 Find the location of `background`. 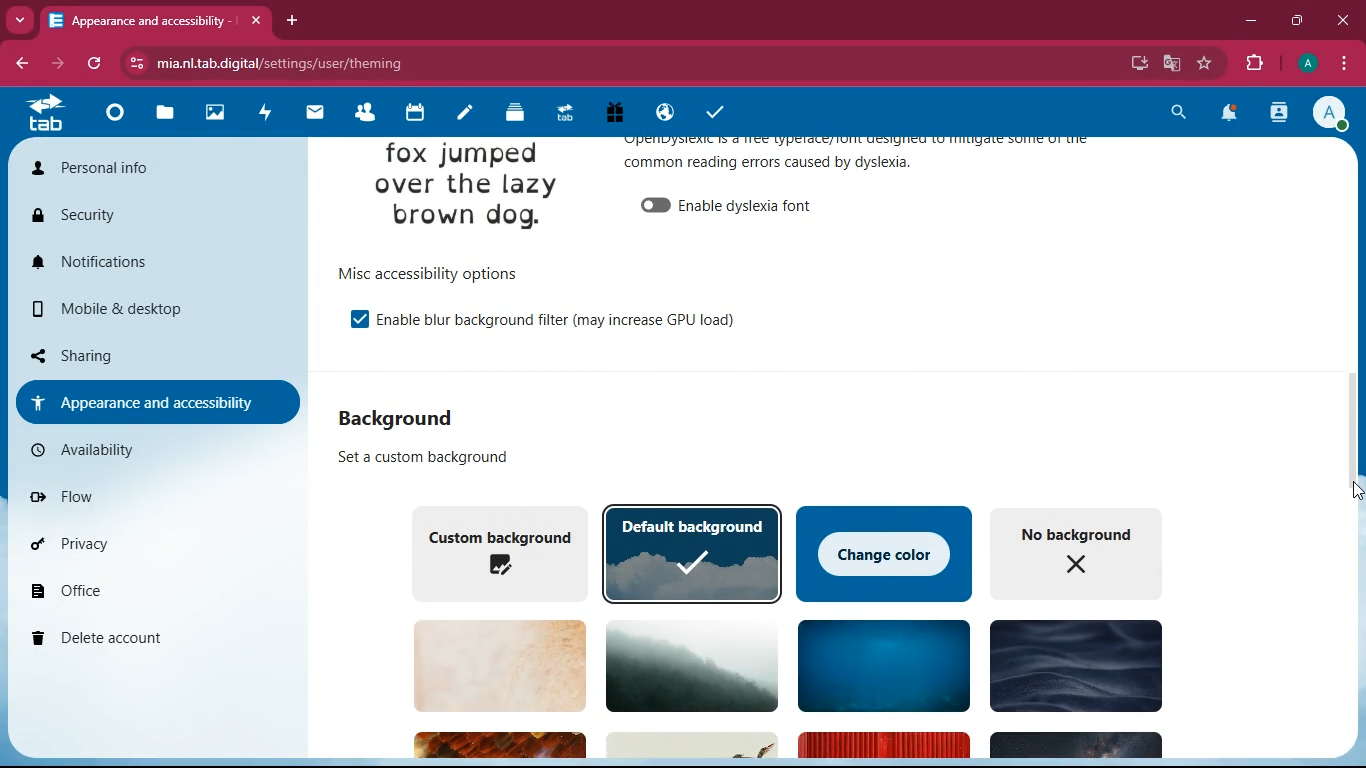

background is located at coordinates (879, 665).